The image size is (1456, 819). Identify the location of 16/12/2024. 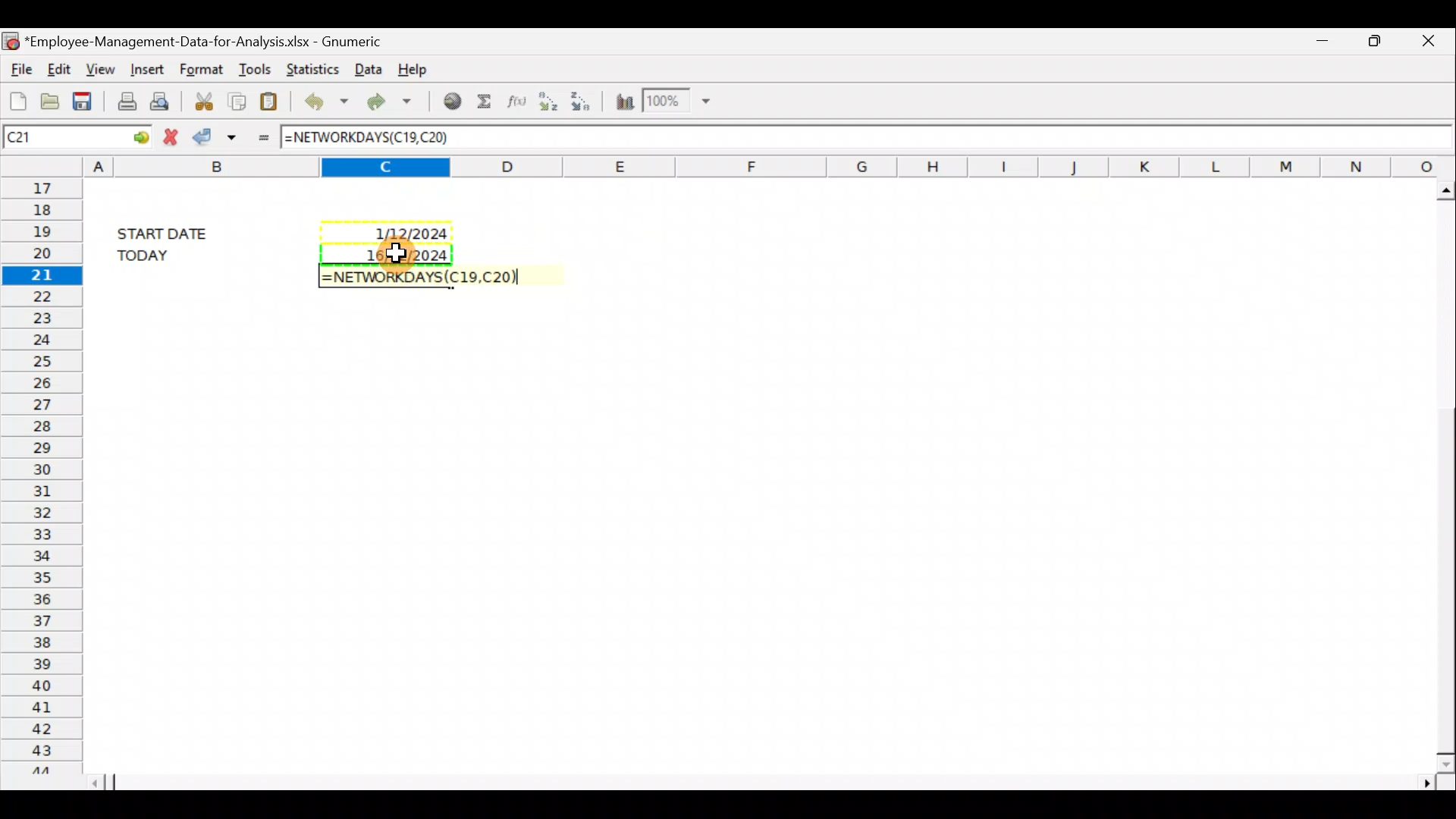
(404, 253).